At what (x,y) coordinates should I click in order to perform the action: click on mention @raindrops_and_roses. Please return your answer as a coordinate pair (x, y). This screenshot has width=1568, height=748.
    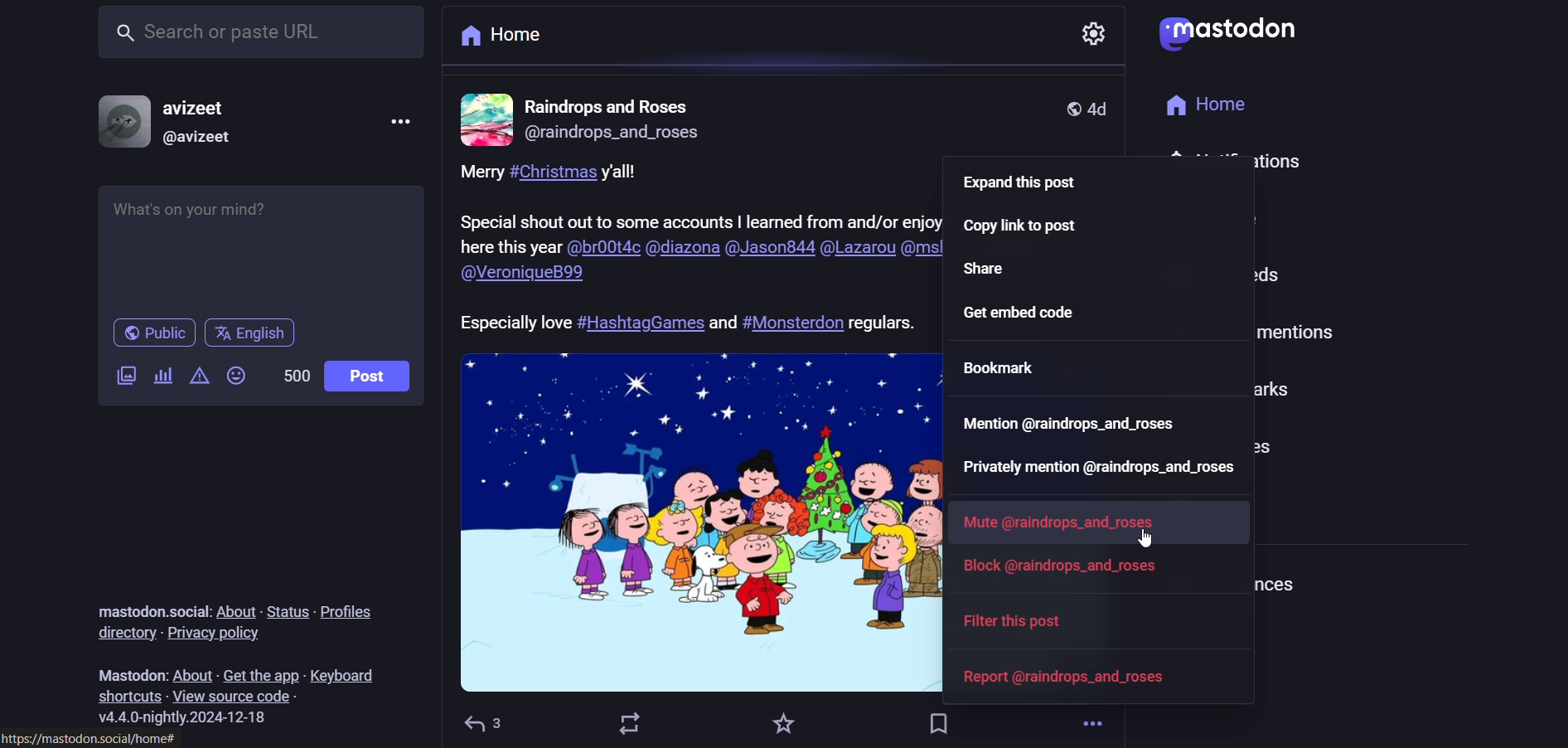
    Looking at the image, I should click on (1069, 426).